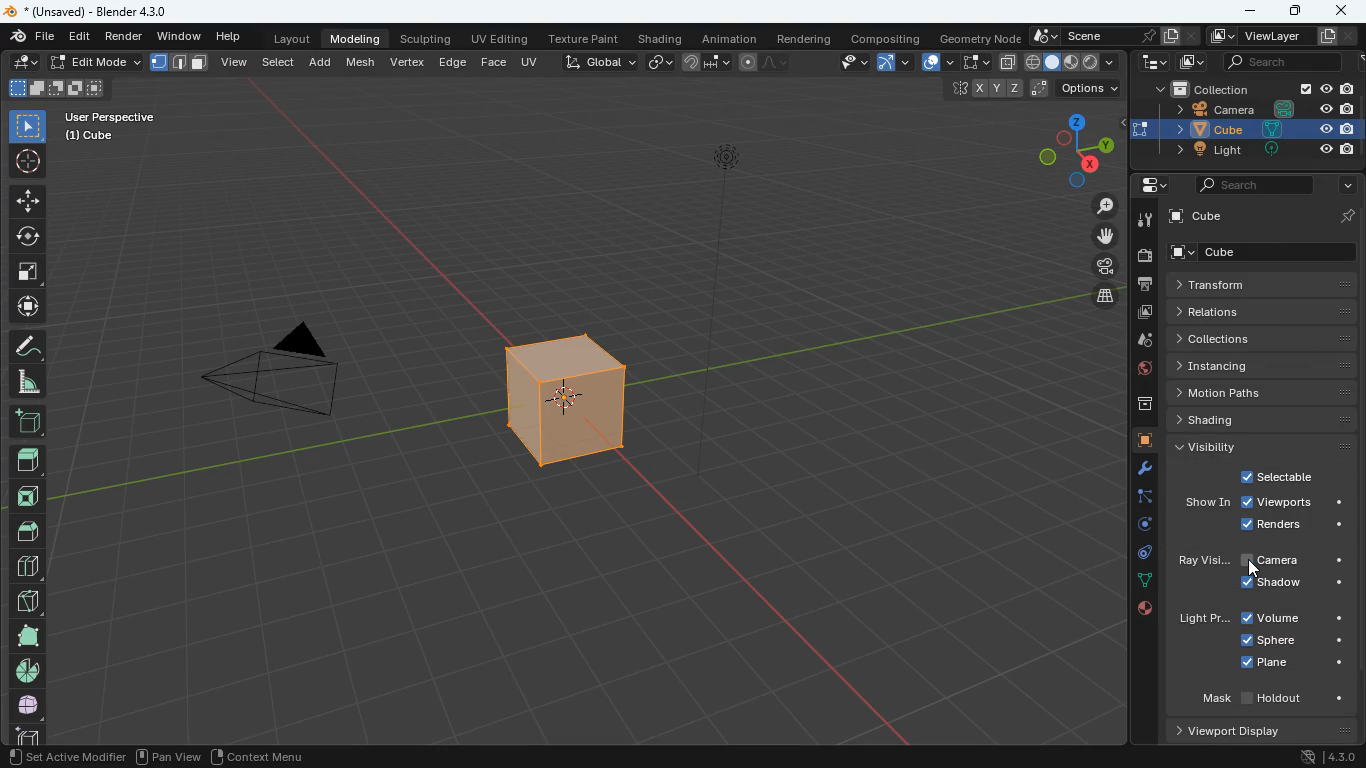 This screenshot has width=1366, height=768. I want to click on up, so click(31, 530).